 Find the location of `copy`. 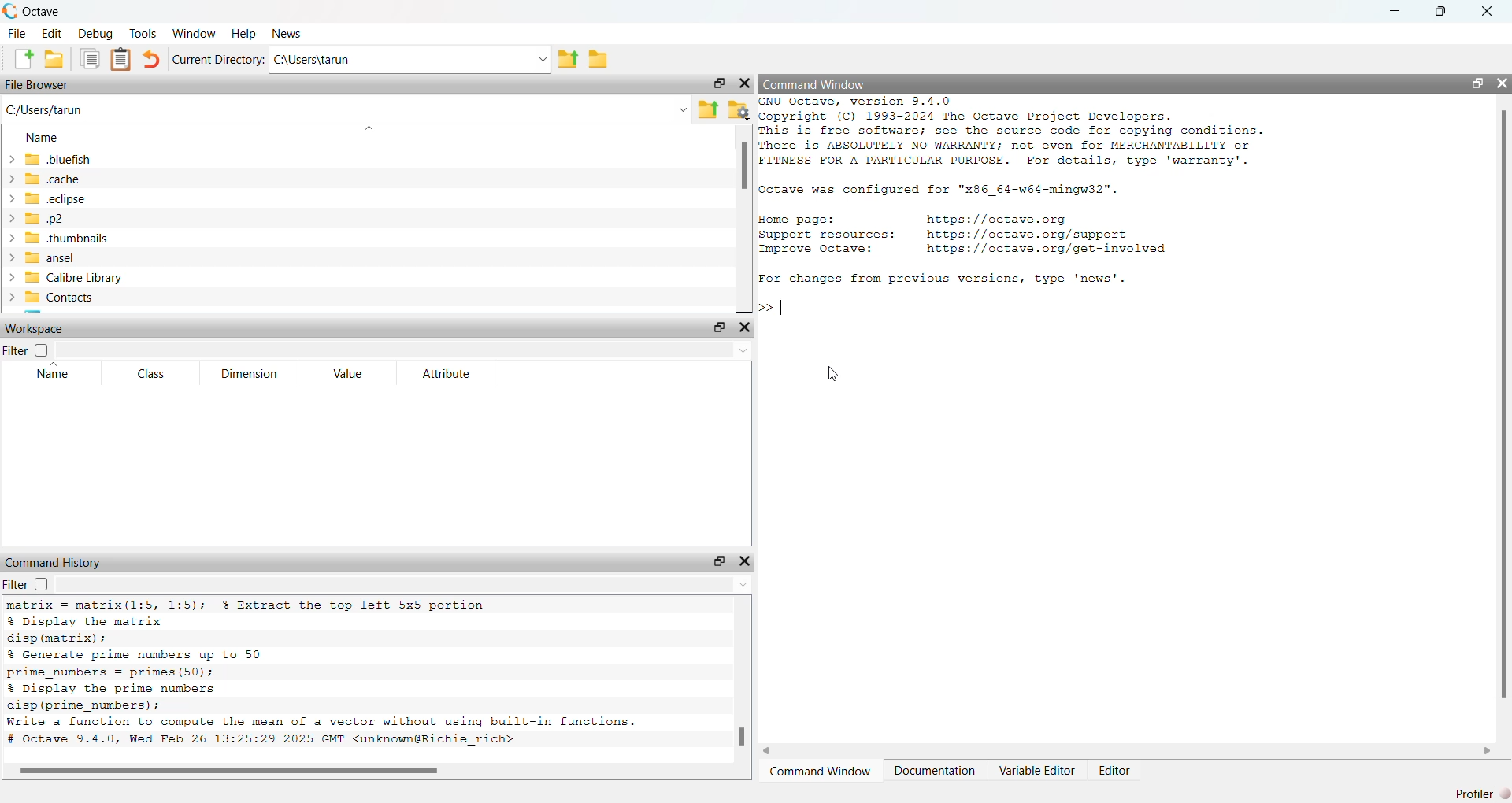

copy is located at coordinates (89, 59).